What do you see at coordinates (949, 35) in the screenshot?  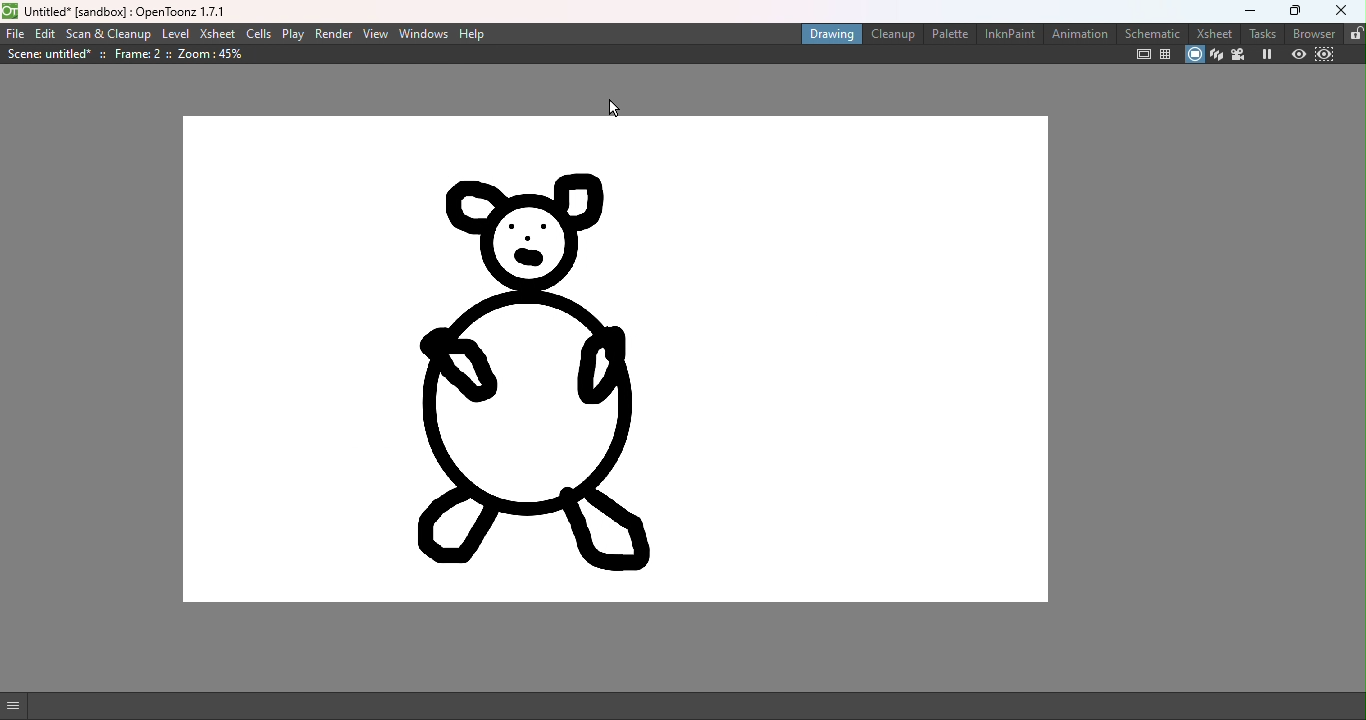 I see `Palette` at bounding box center [949, 35].